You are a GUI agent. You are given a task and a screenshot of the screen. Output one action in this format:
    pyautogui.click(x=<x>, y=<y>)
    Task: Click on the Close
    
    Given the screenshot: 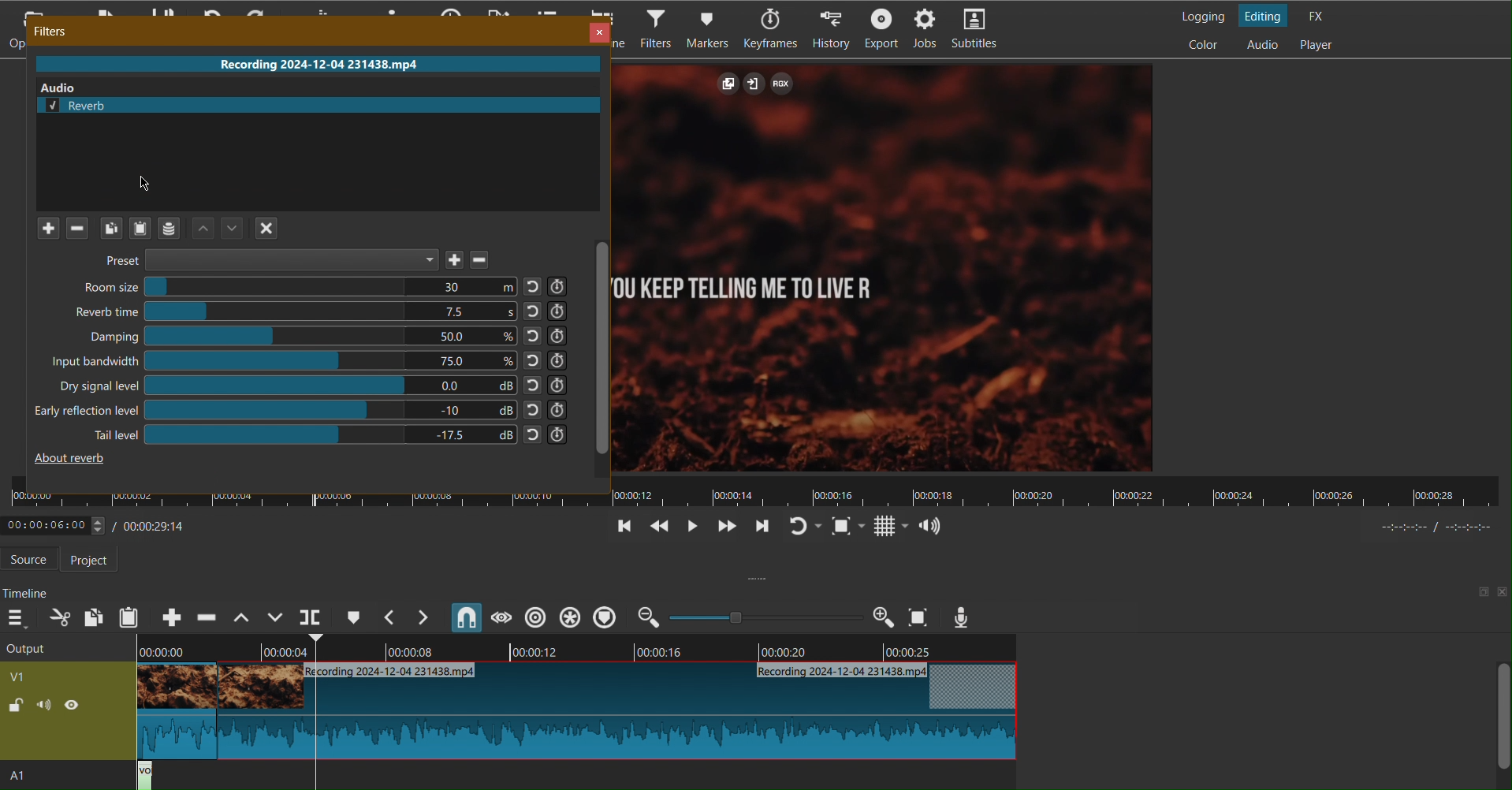 What is the action you would take?
    pyautogui.click(x=270, y=229)
    